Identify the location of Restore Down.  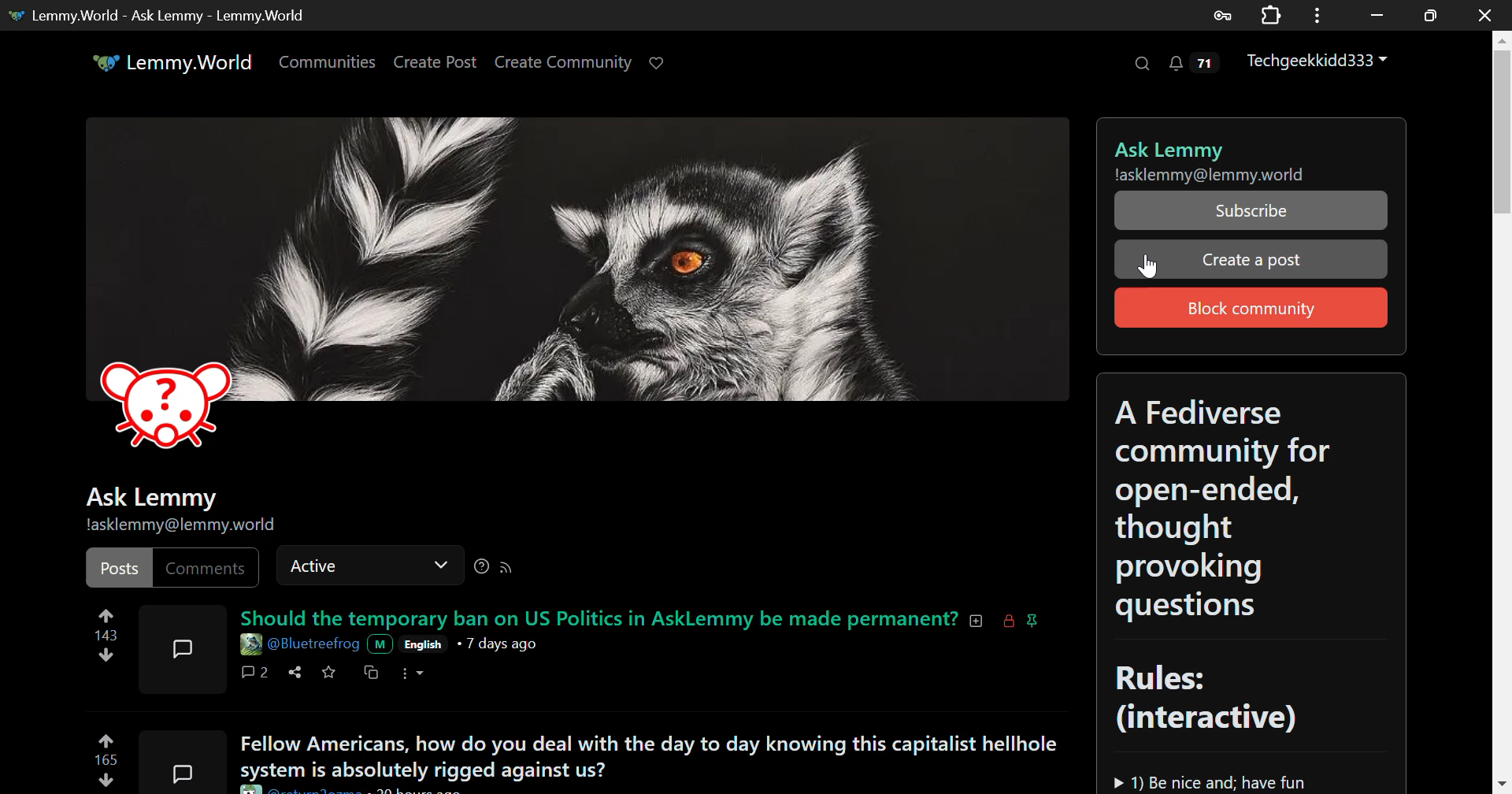
(1378, 15).